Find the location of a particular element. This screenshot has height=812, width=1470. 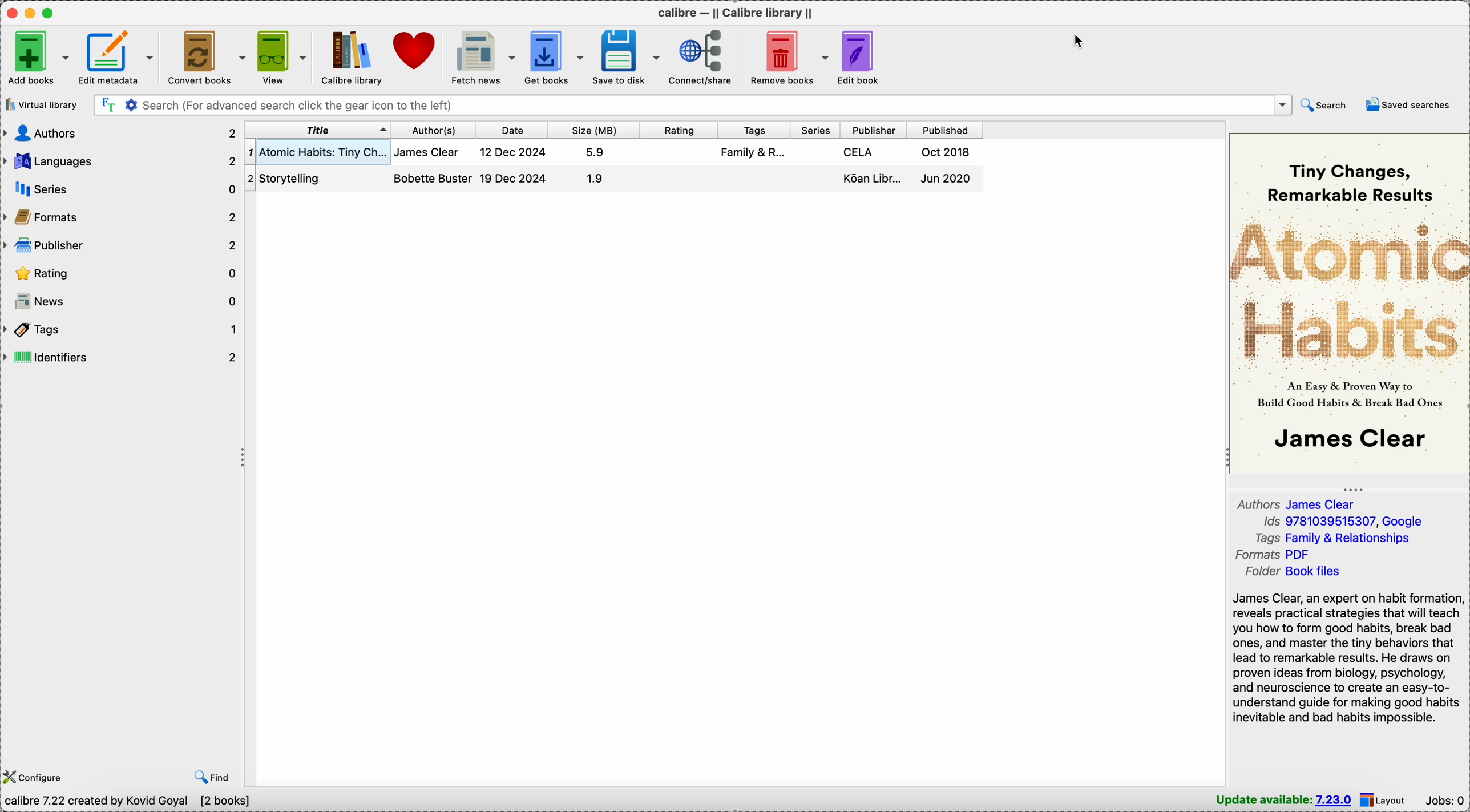

publisher is located at coordinates (119, 247).